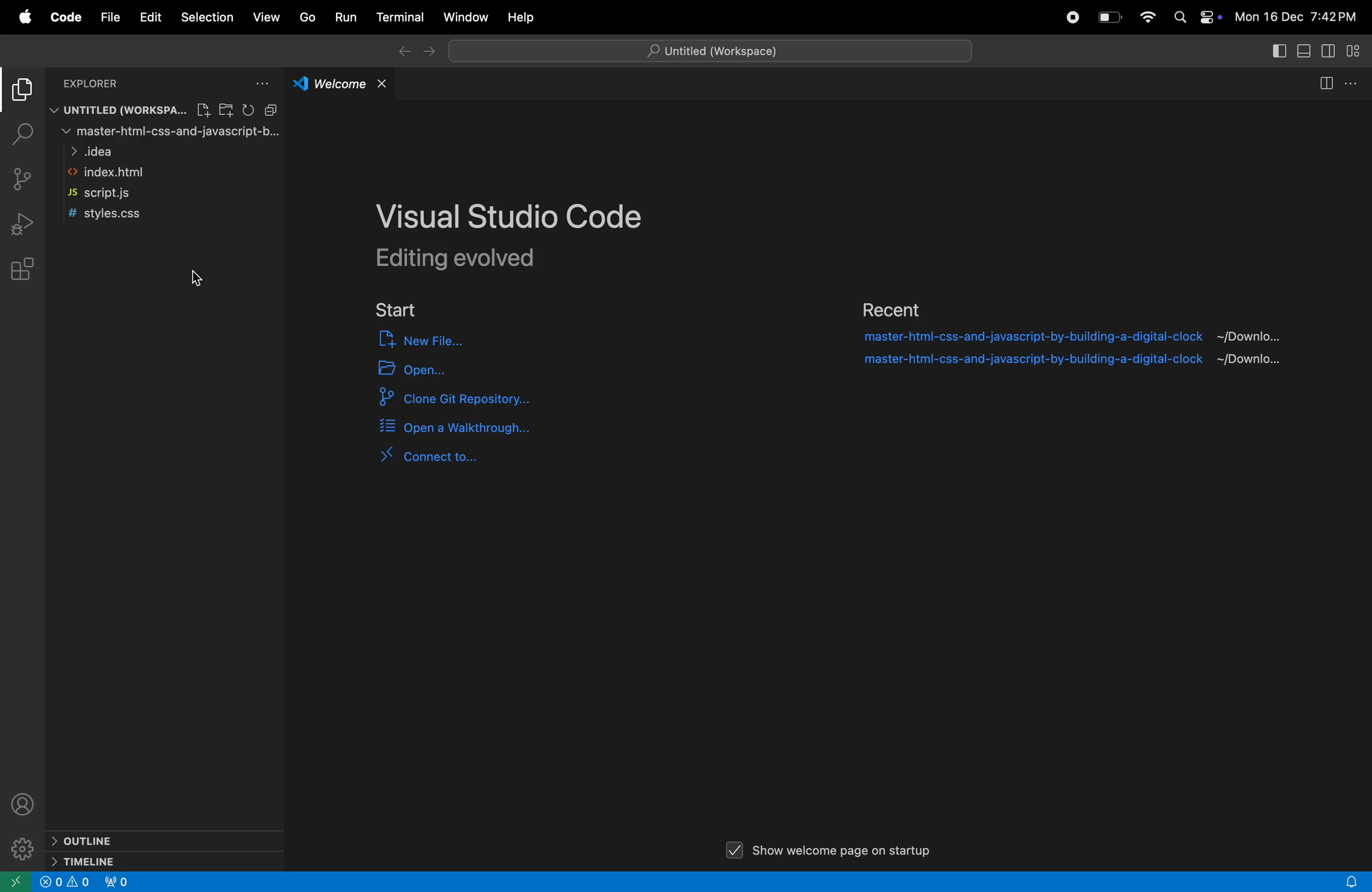 Image resolution: width=1372 pixels, height=892 pixels. What do you see at coordinates (1260, 362) in the screenshot?
I see `~/Downlo...` at bounding box center [1260, 362].